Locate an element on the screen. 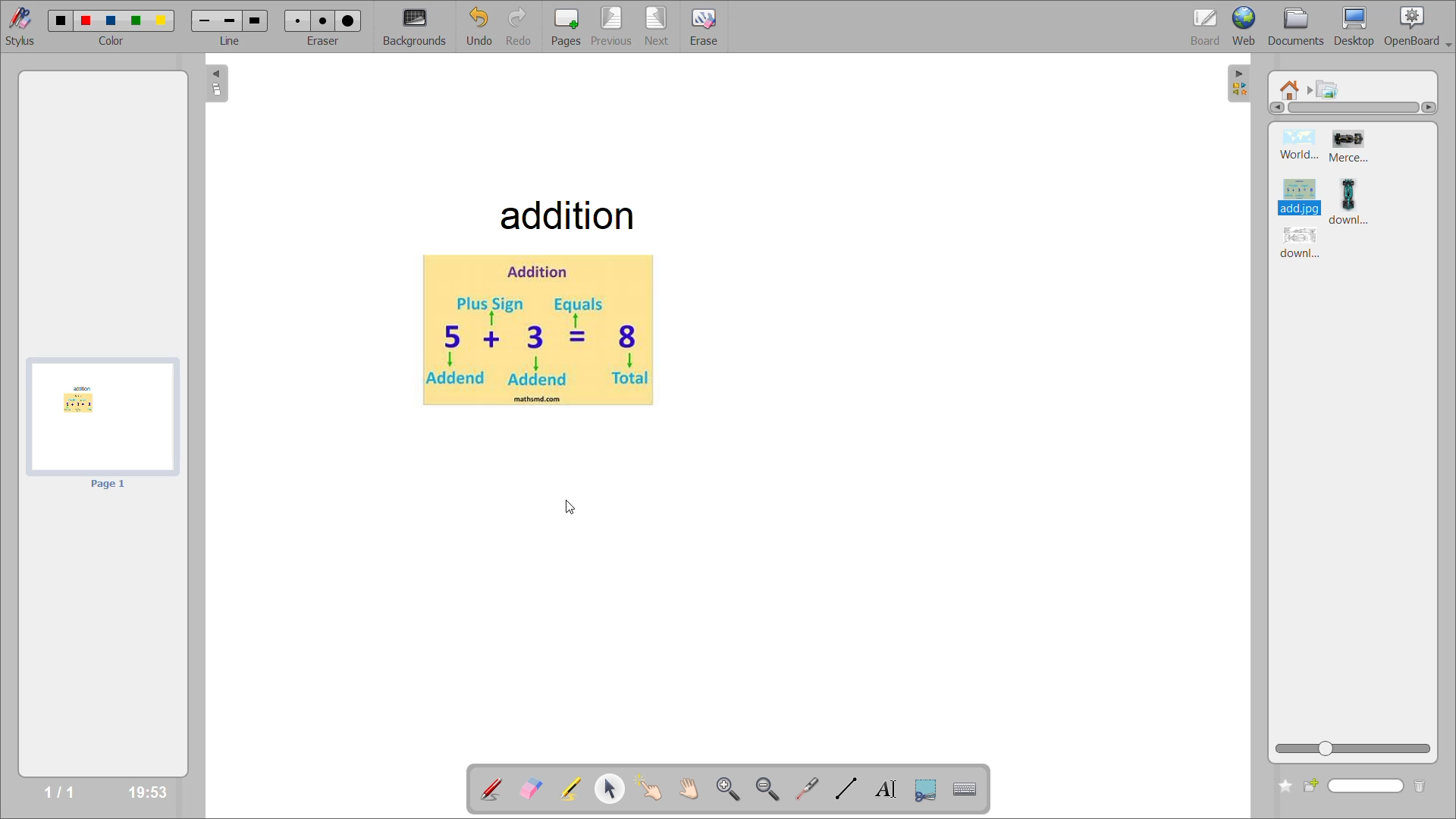 Image resolution: width=1456 pixels, height=819 pixels. pages is located at coordinates (565, 27).